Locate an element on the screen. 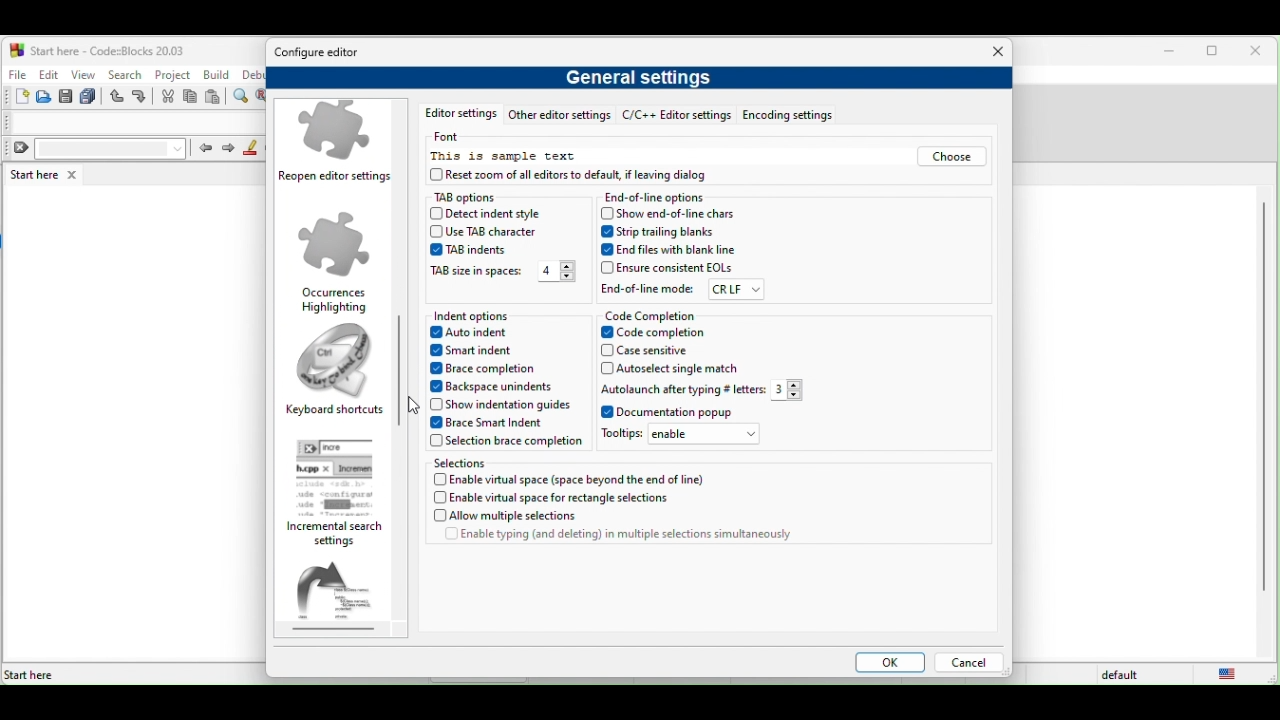 The height and width of the screenshot is (720, 1280). tab options is located at coordinates (484, 197).